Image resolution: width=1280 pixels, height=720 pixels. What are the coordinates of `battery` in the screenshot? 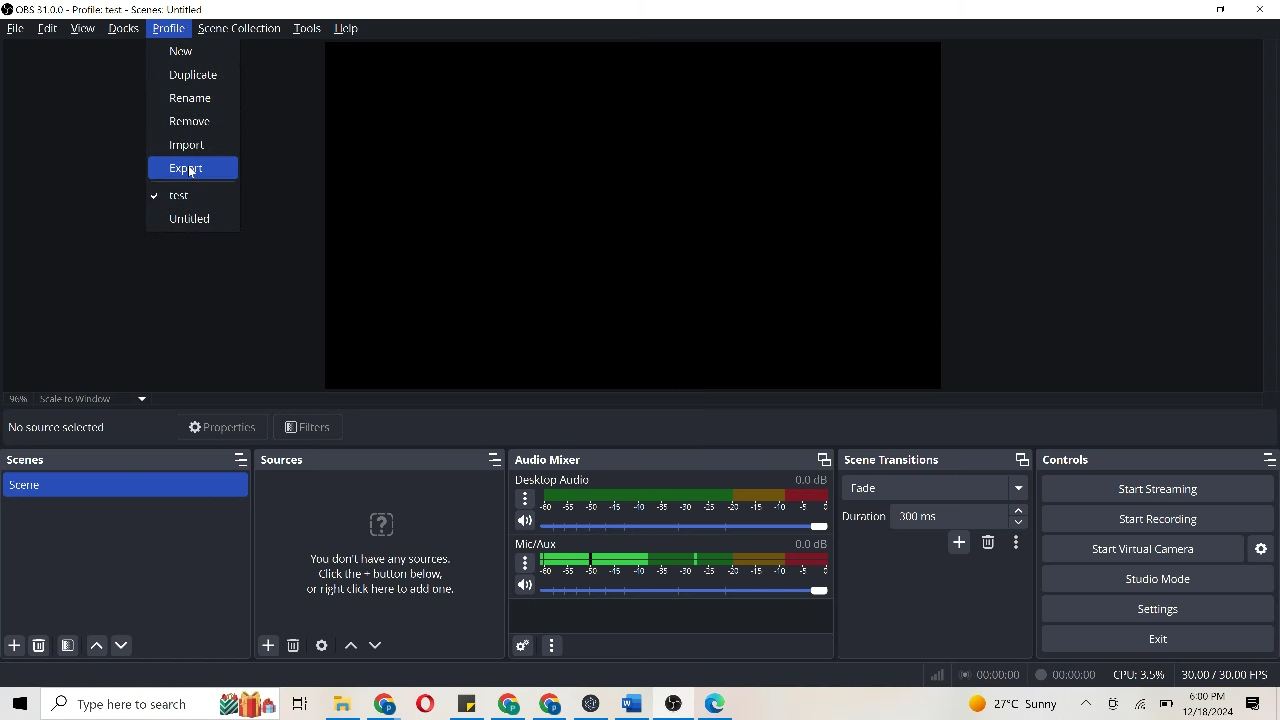 It's located at (1167, 704).